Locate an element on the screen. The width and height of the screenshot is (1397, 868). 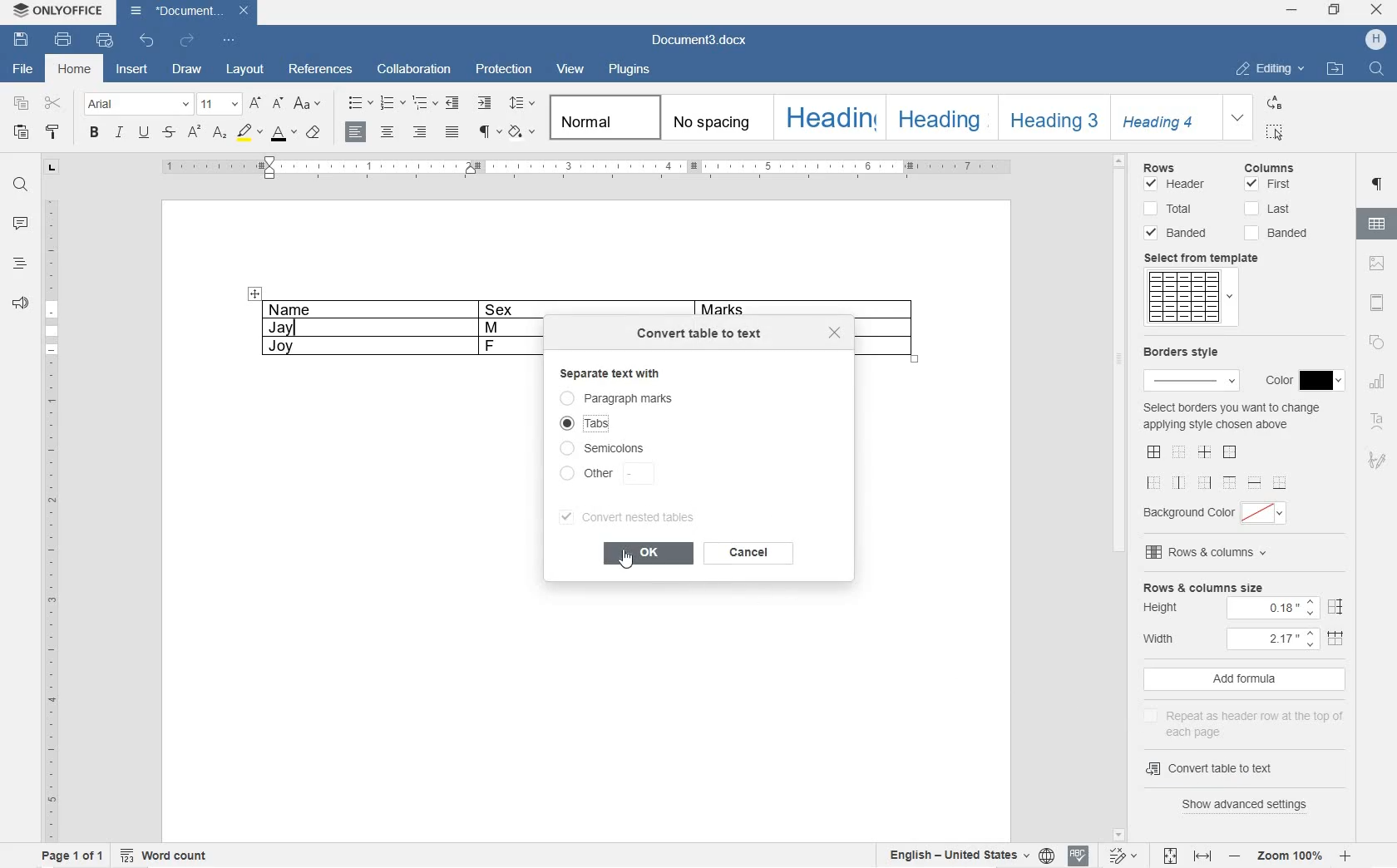
MULTILEVEL LISTS is located at coordinates (423, 101).